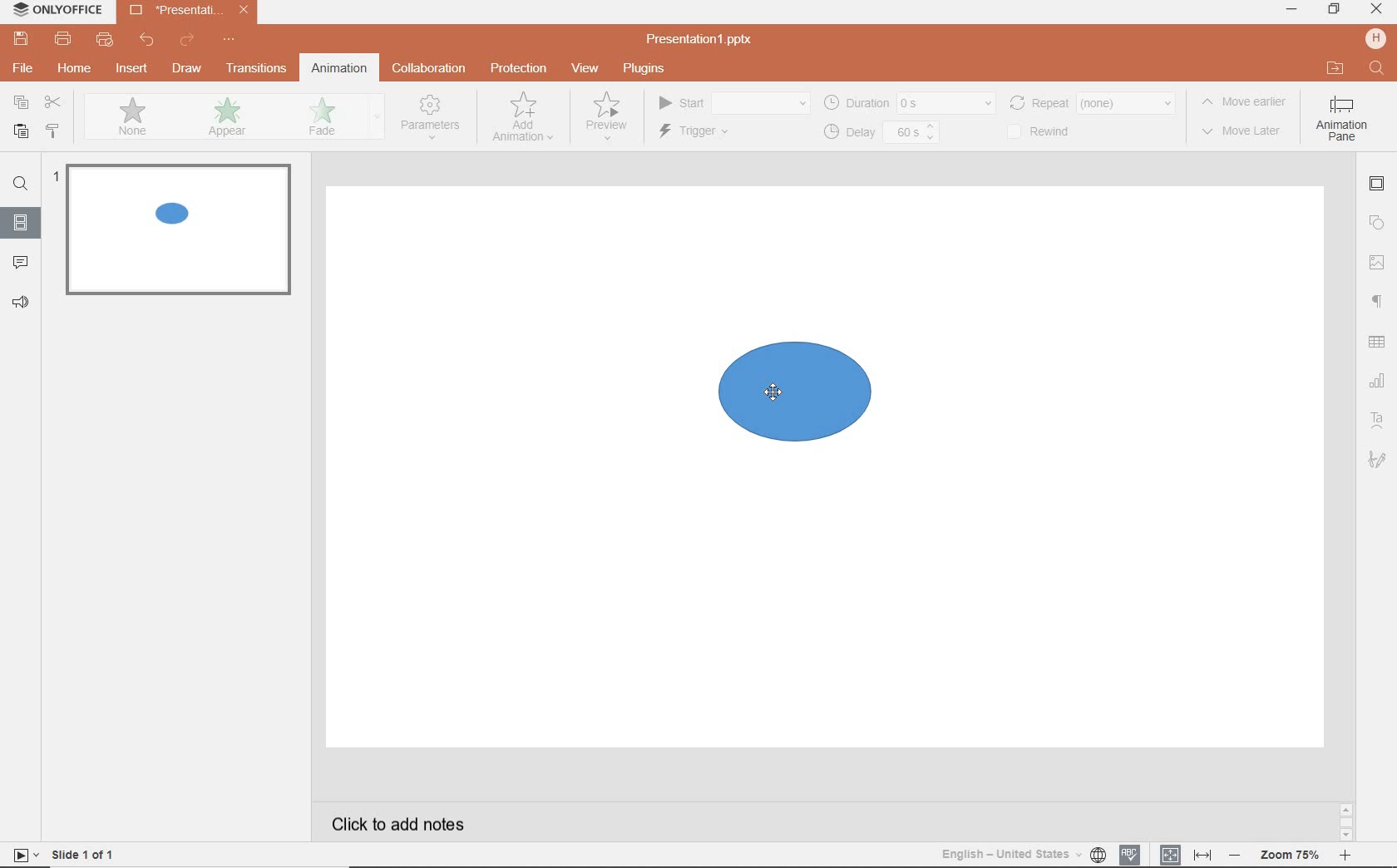  What do you see at coordinates (1019, 856) in the screenshot?
I see `text language` at bounding box center [1019, 856].